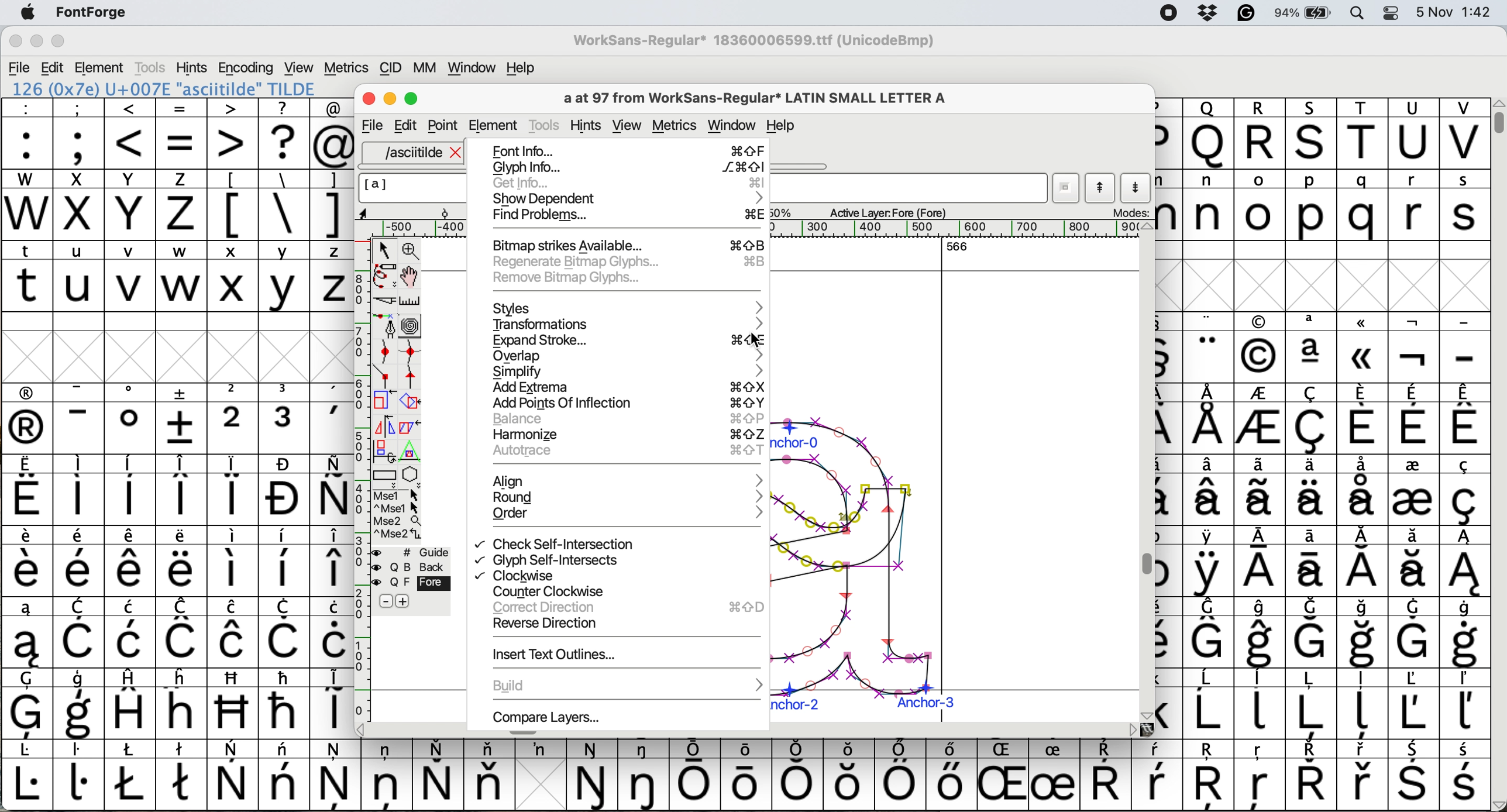 The height and width of the screenshot is (812, 1507). I want to click on symbol, so click(1412, 489).